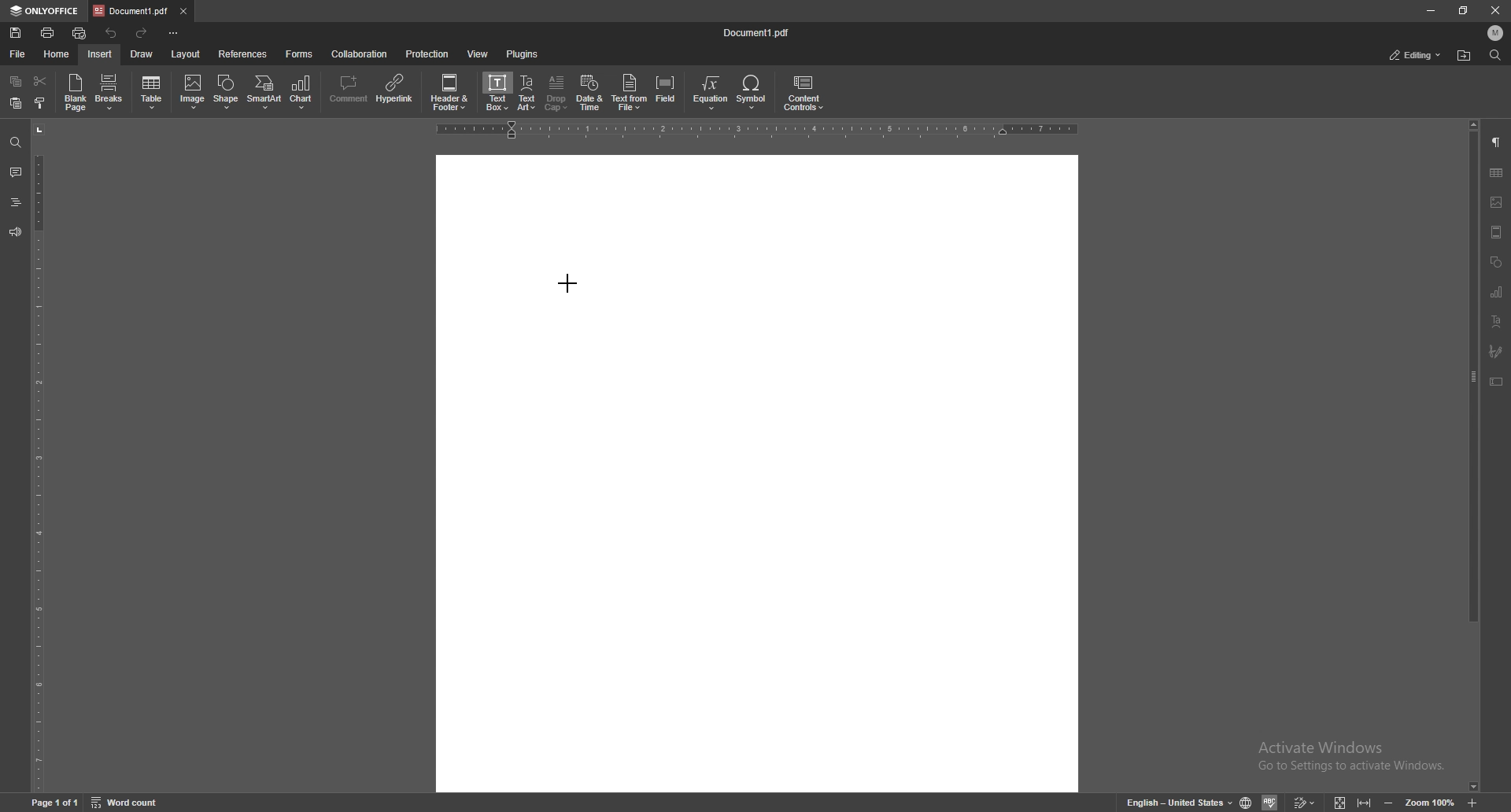 Image resolution: width=1511 pixels, height=812 pixels. What do you see at coordinates (75, 92) in the screenshot?
I see `blank page` at bounding box center [75, 92].